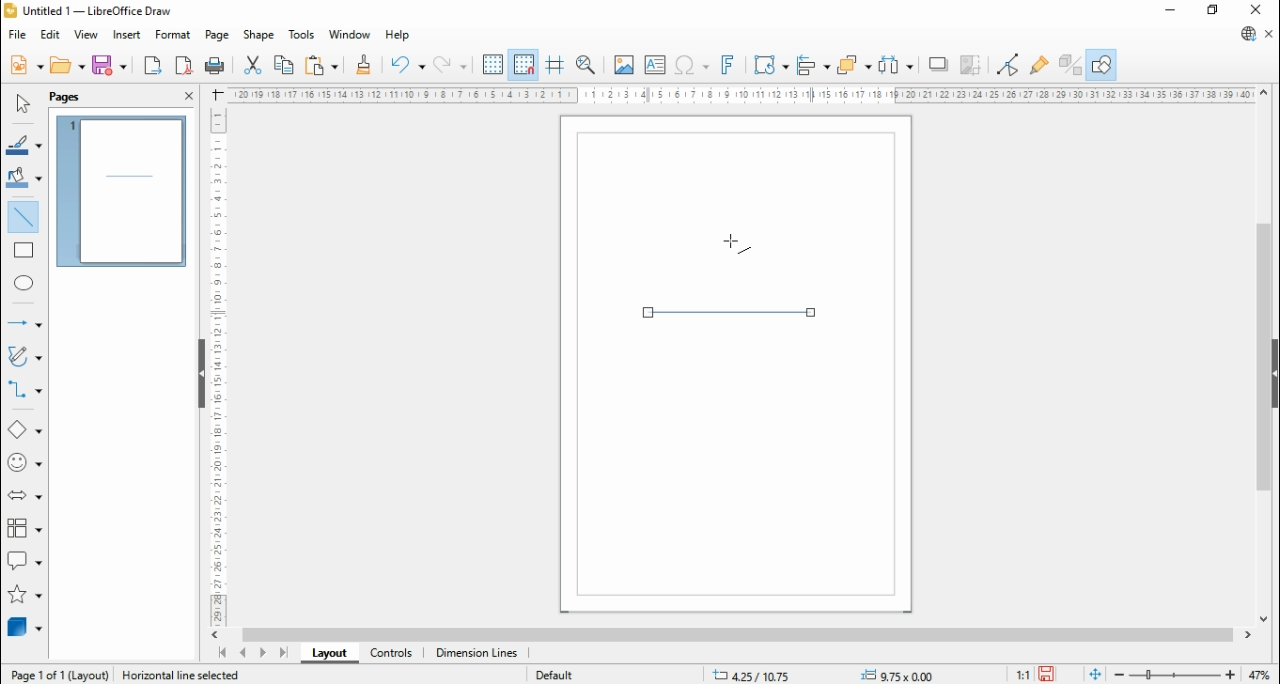 This screenshot has height=684, width=1280. I want to click on close document, so click(1270, 34).